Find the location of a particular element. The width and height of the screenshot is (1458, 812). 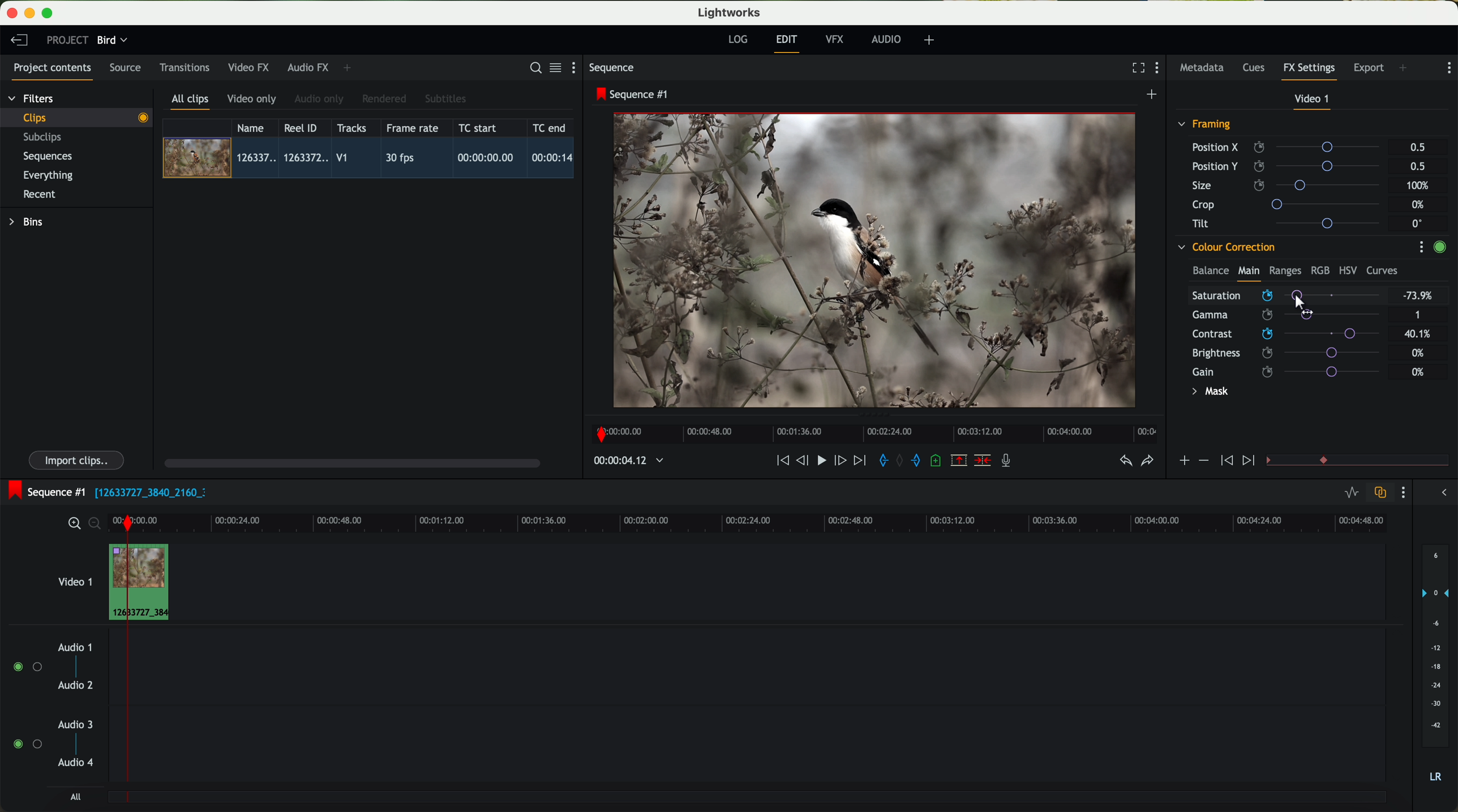

timeline is located at coordinates (623, 461).